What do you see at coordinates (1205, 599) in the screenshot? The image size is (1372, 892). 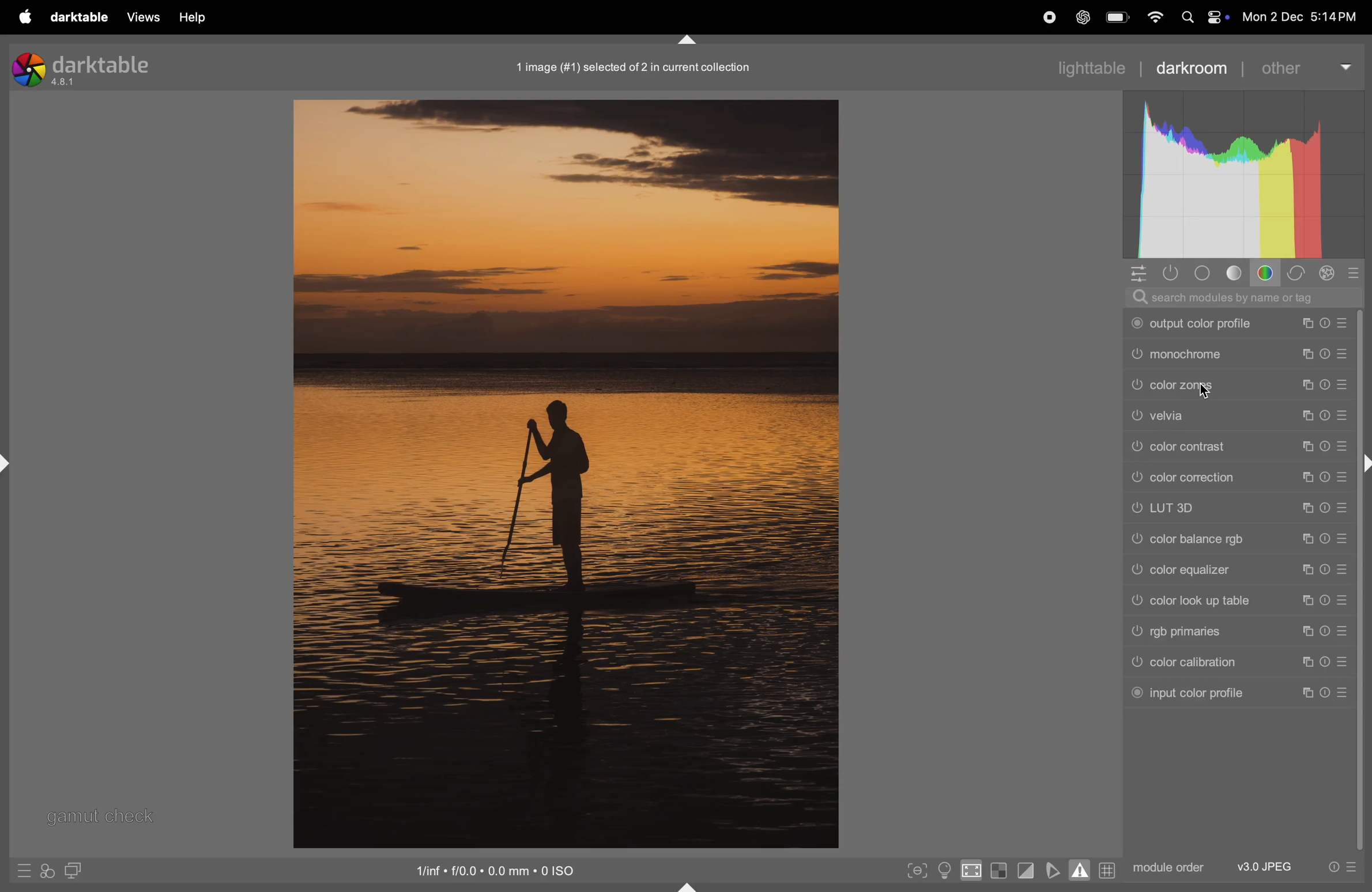 I see `color lookup table` at bounding box center [1205, 599].